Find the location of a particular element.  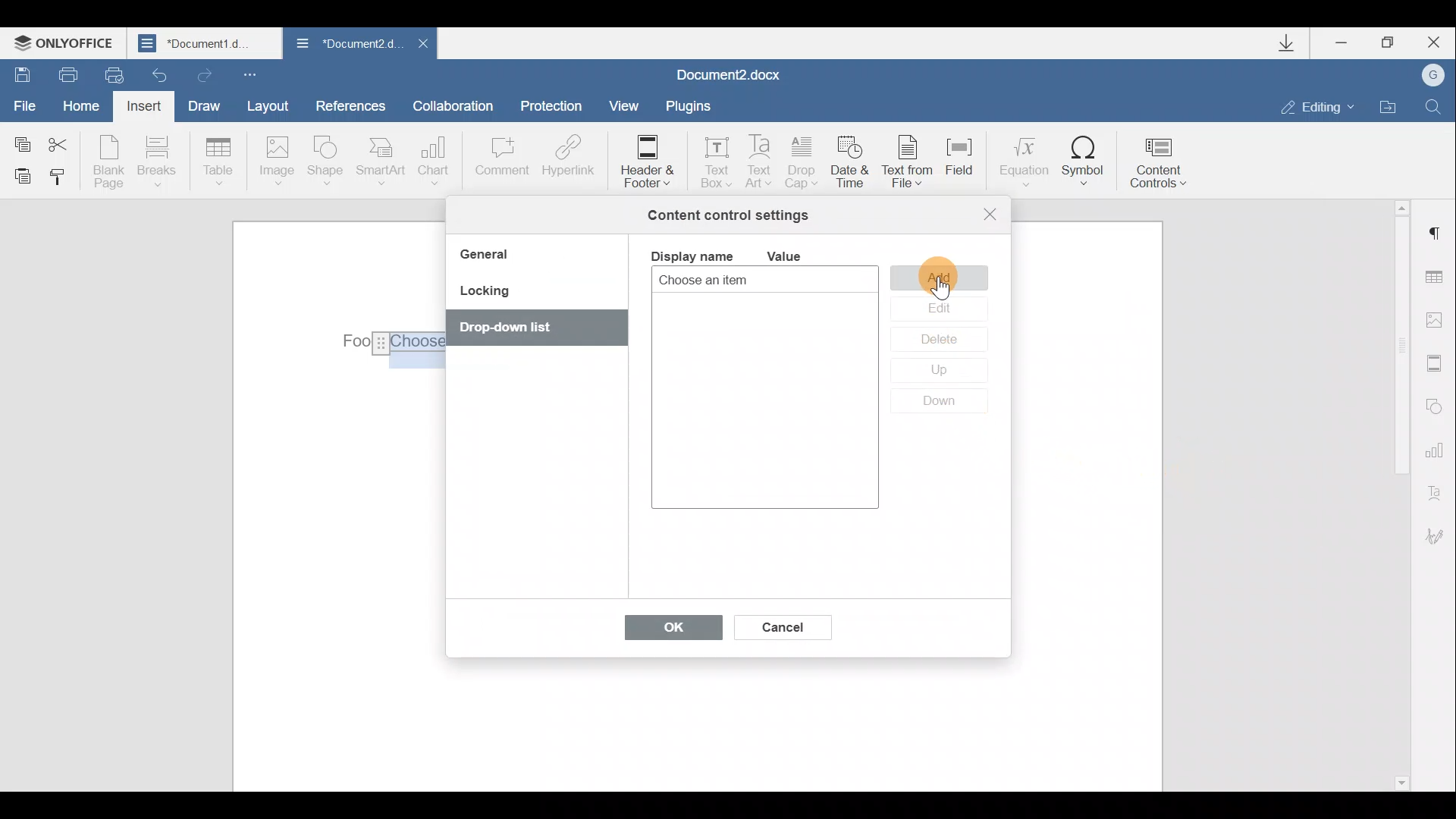

Insert is located at coordinates (146, 109).